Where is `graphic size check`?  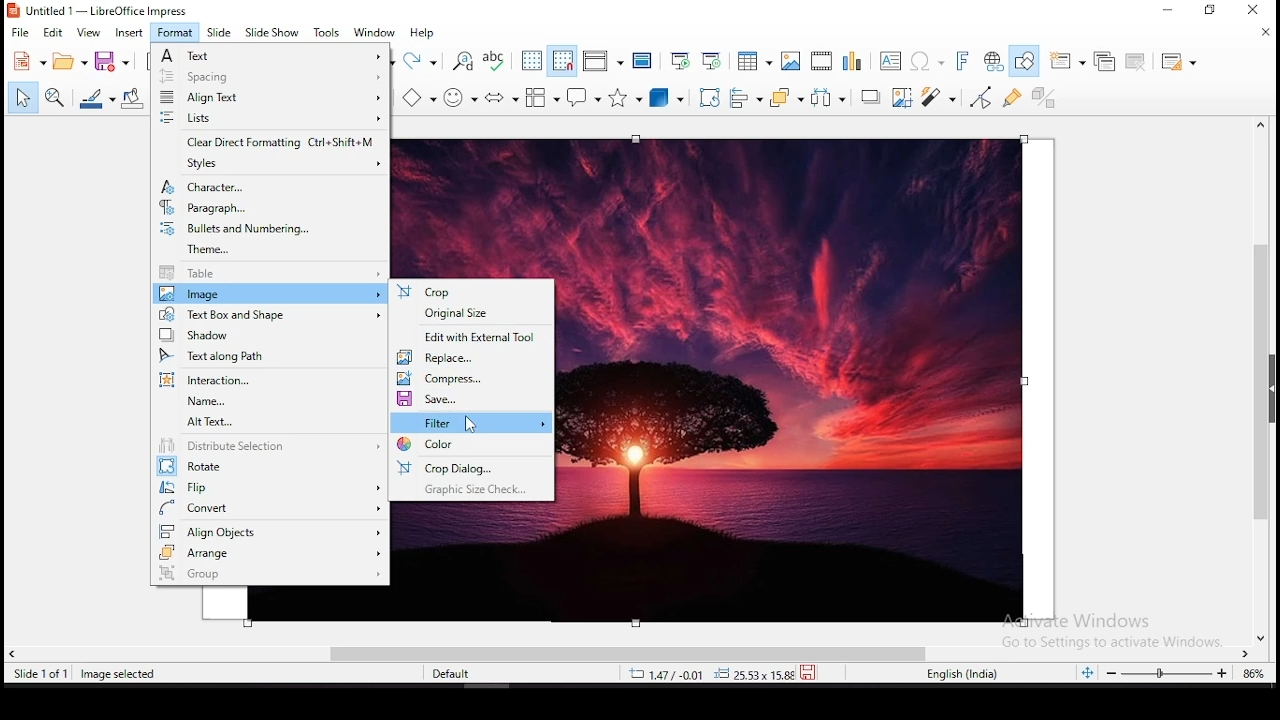 graphic size check is located at coordinates (472, 489).